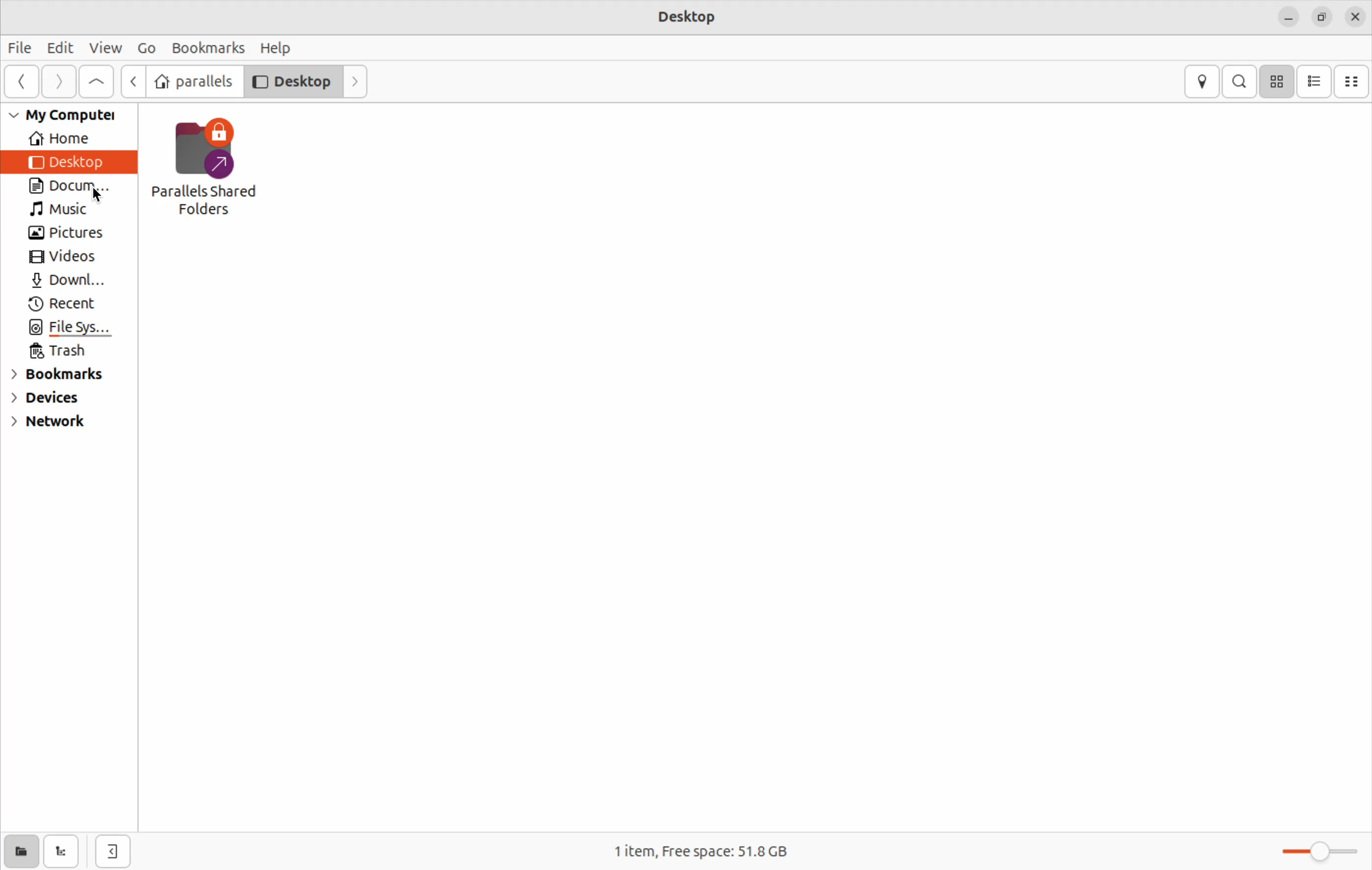  I want to click on toggle zoom, so click(1304, 848).